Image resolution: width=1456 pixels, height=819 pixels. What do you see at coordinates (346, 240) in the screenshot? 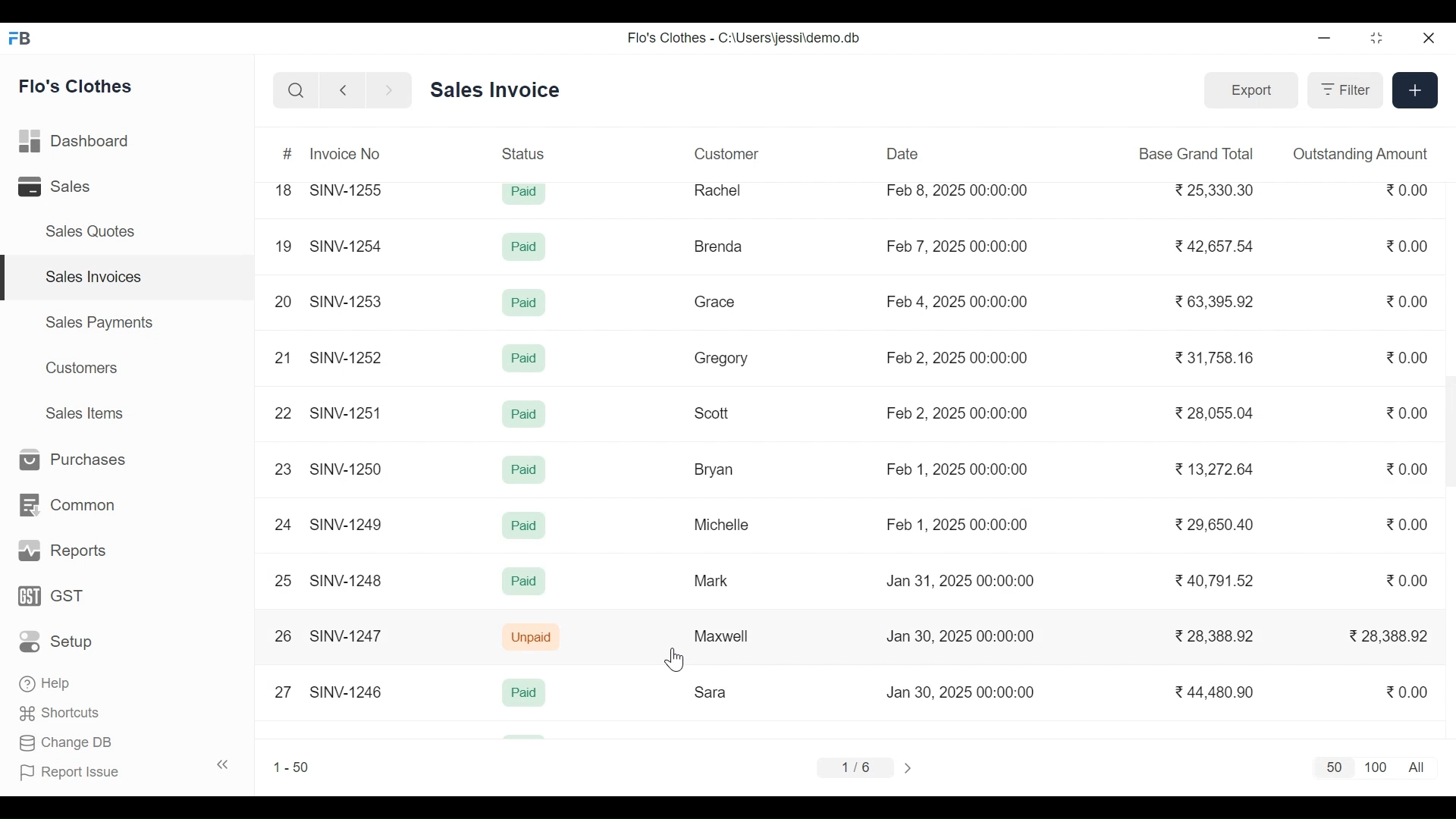
I see `SINV-1254` at bounding box center [346, 240].